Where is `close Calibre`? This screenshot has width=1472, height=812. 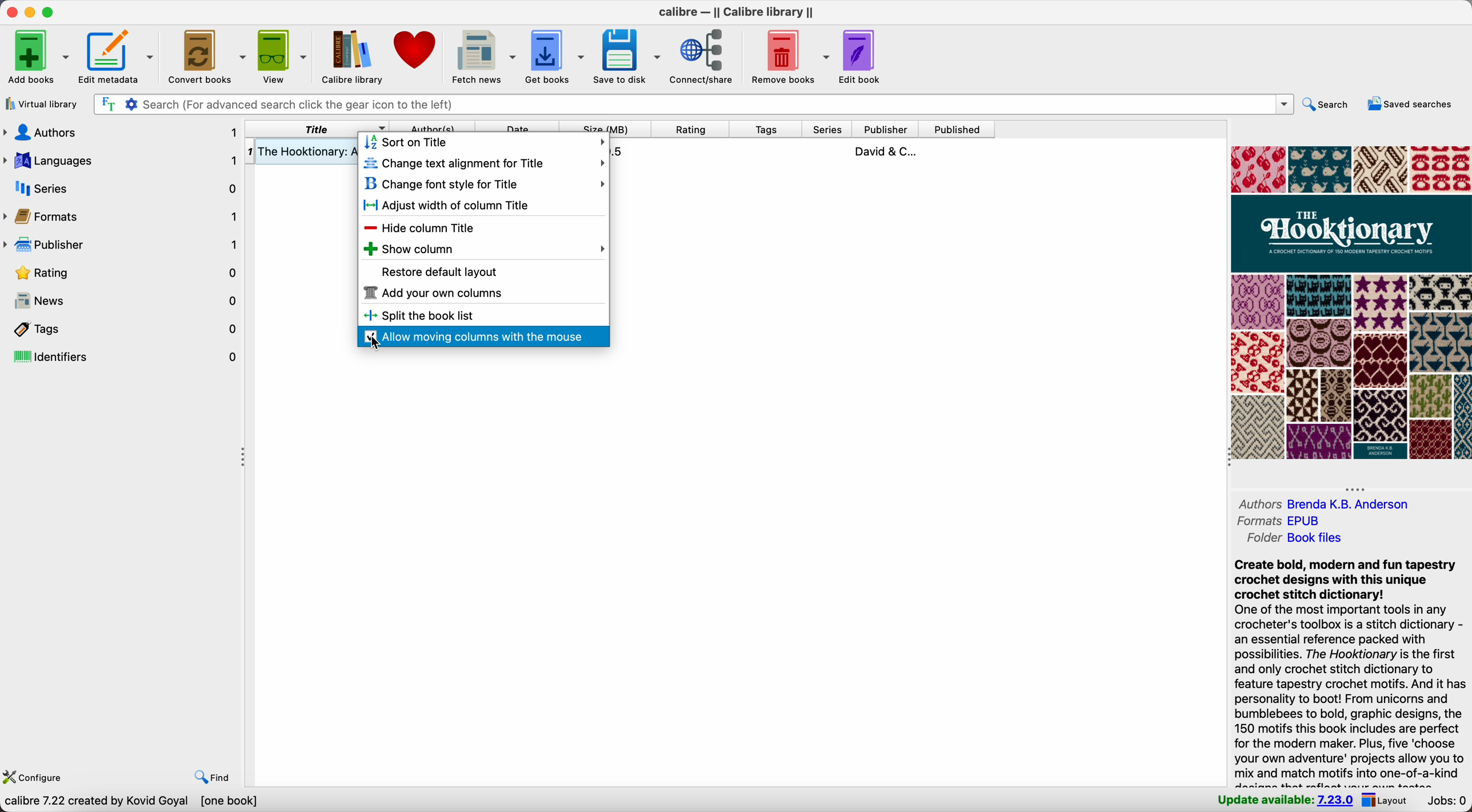
close Calibre is located at coordinates (11, 11).